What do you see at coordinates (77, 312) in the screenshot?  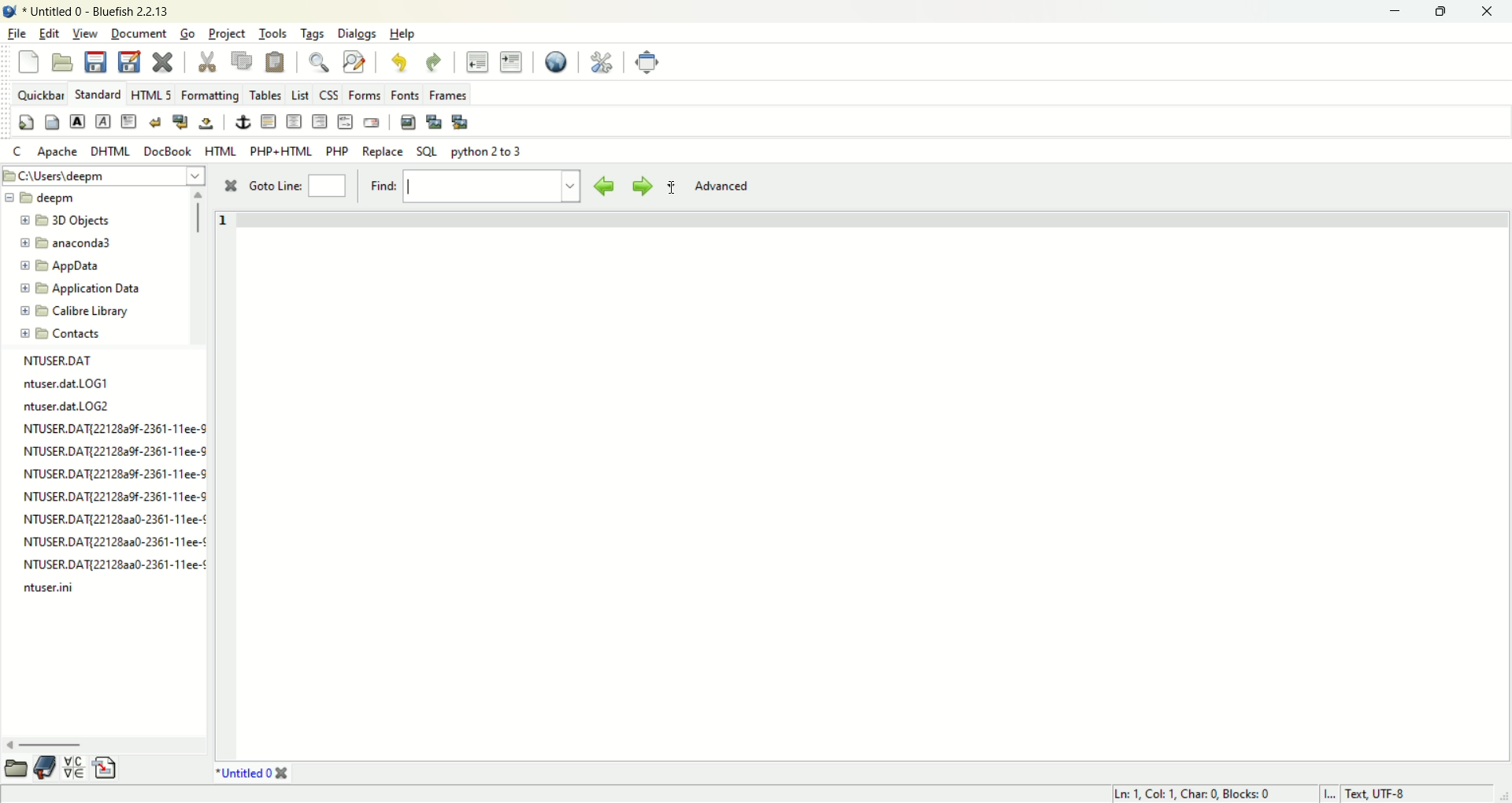 I see `calibre library` at bounding box center [77, 312].